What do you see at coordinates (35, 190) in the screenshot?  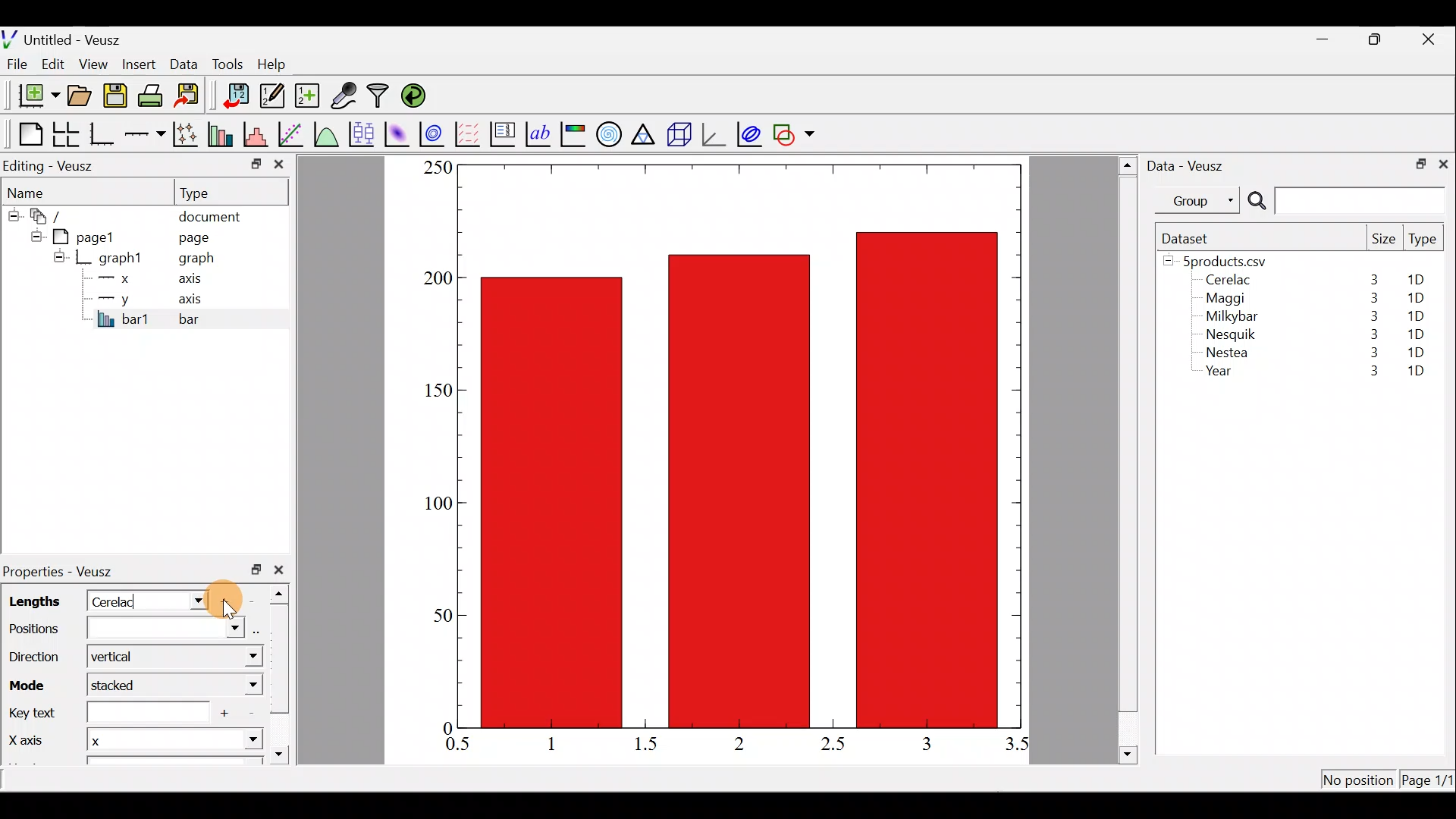 I see `Name` at bounding box center [35, 190].